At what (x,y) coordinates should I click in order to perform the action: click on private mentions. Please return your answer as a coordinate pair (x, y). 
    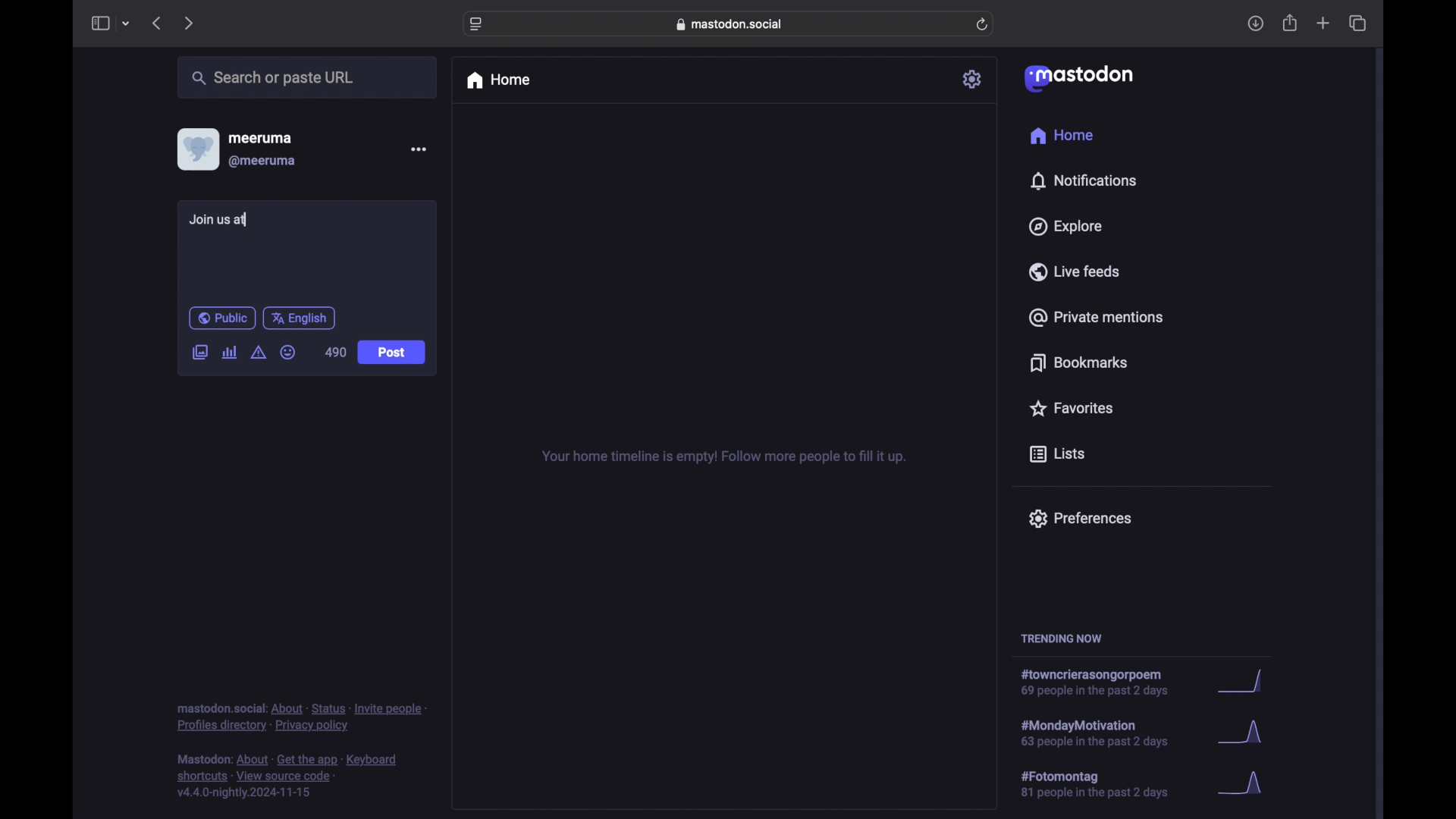
    Looking at the image, I should click on (1097, 317).